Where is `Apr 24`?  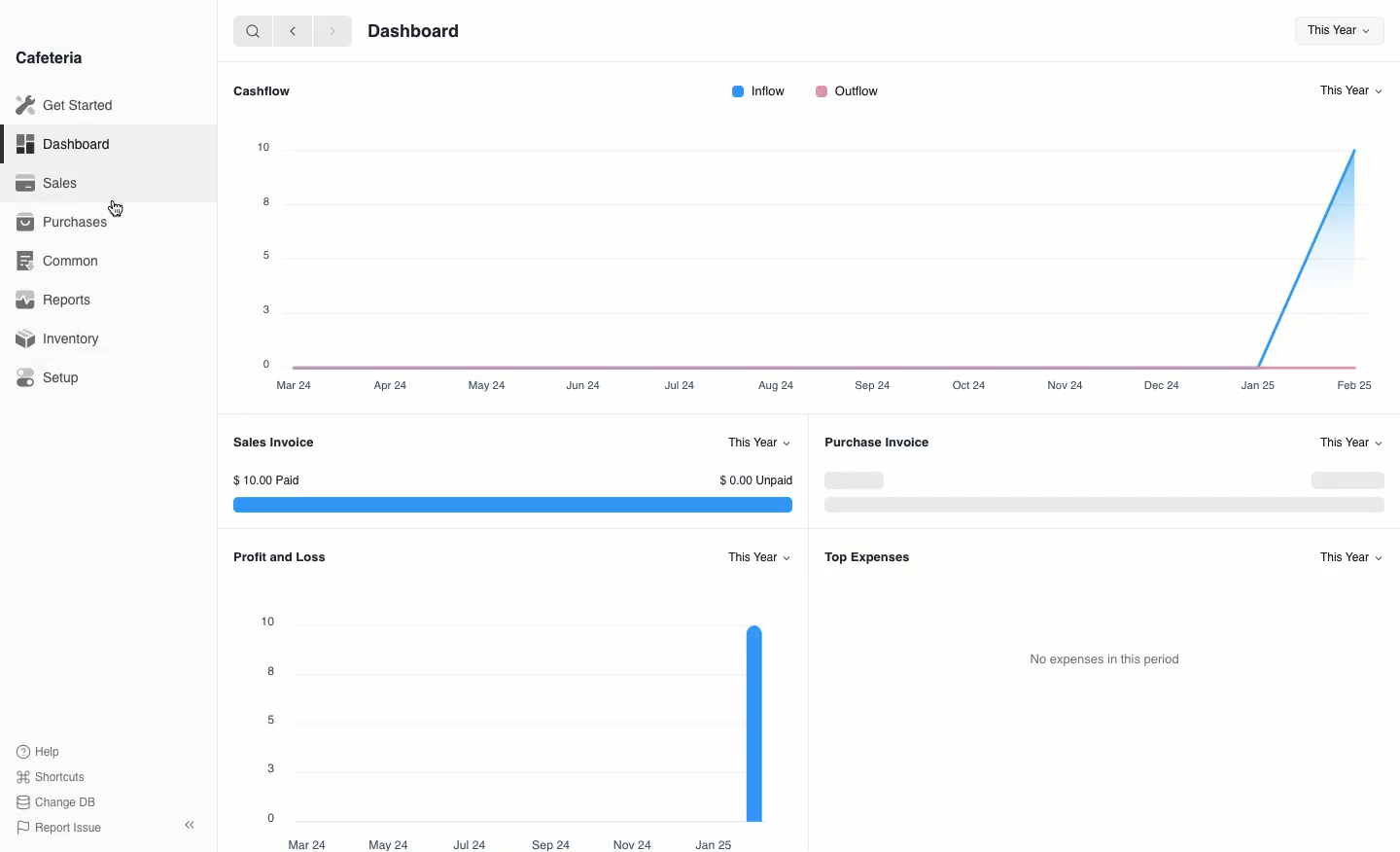 Apr 24 is located at coordinates (392, 388).